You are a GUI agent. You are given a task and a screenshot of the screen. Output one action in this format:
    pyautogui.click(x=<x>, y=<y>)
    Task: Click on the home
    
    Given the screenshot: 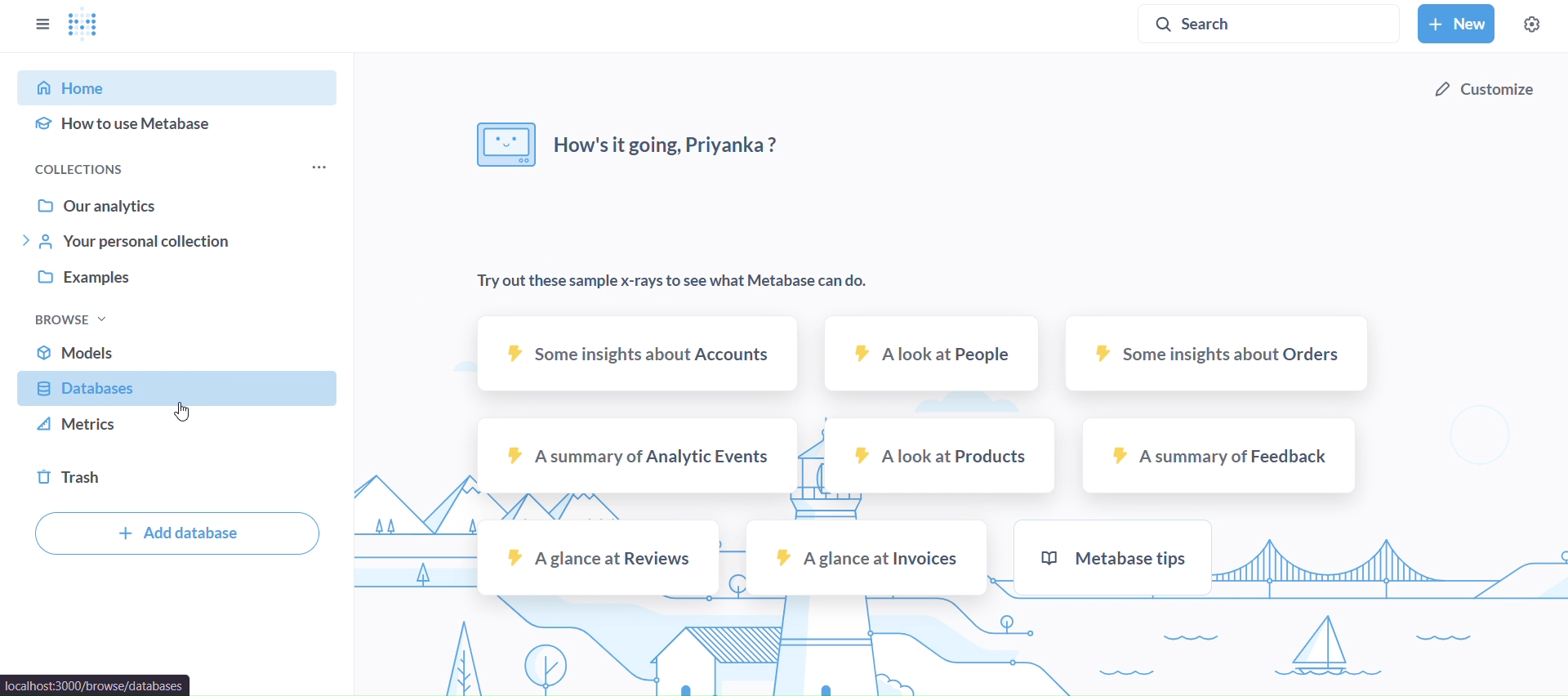 What is the action you would take?
    pyautogui.click(x=176, y=87)
    